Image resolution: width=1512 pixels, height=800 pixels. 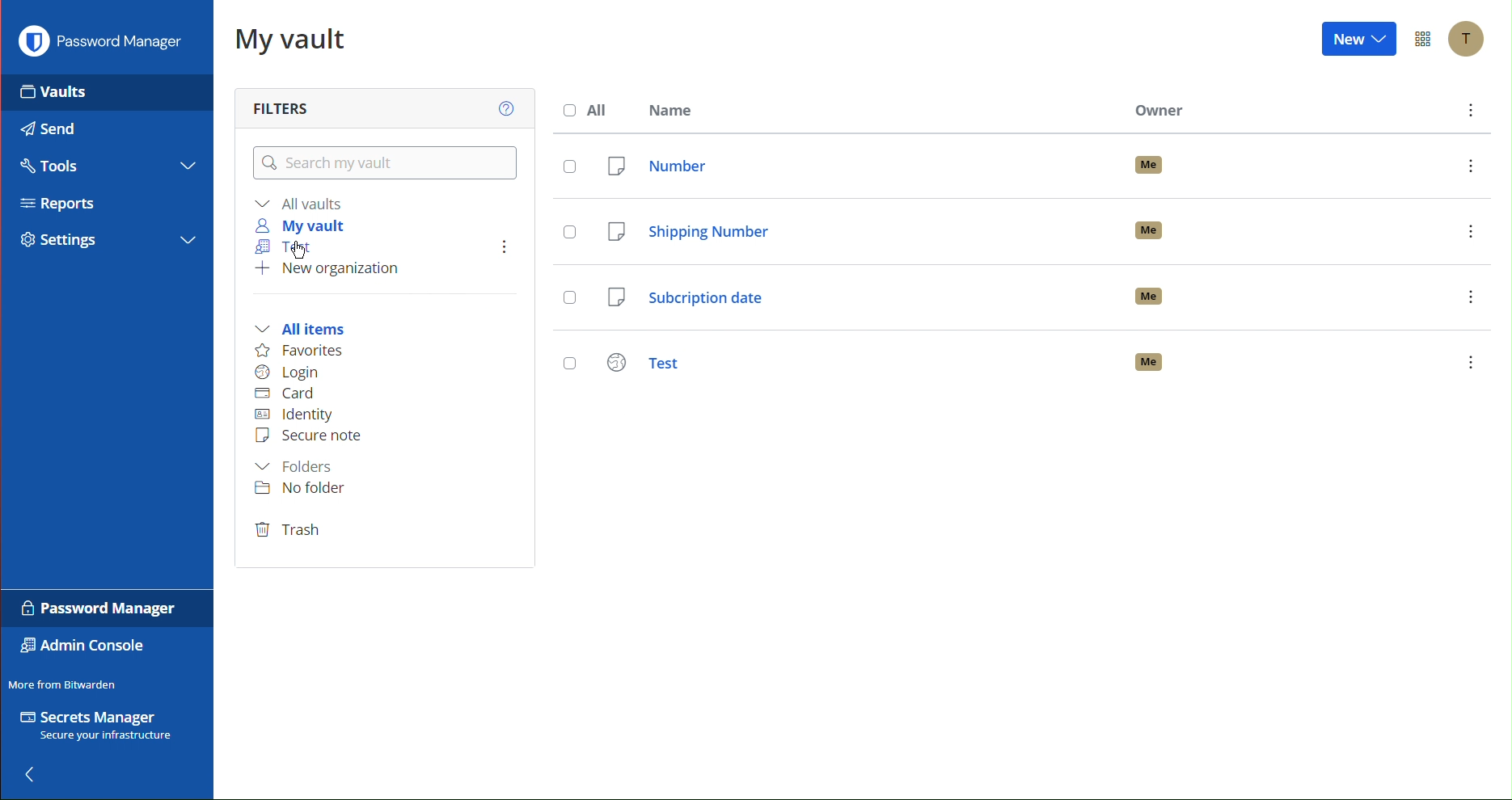 I want to click on More Options, so click(x=1425, y=39).